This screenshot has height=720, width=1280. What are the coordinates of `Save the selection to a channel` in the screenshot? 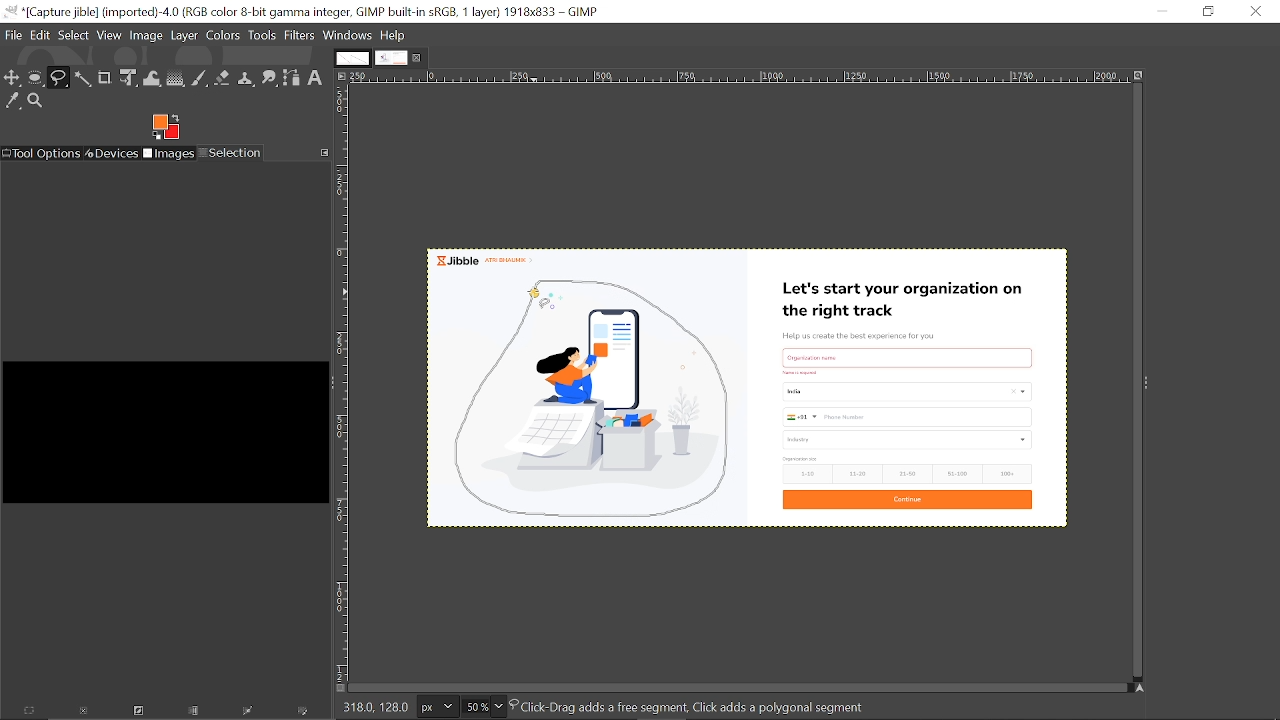 It's located at (195, 712).